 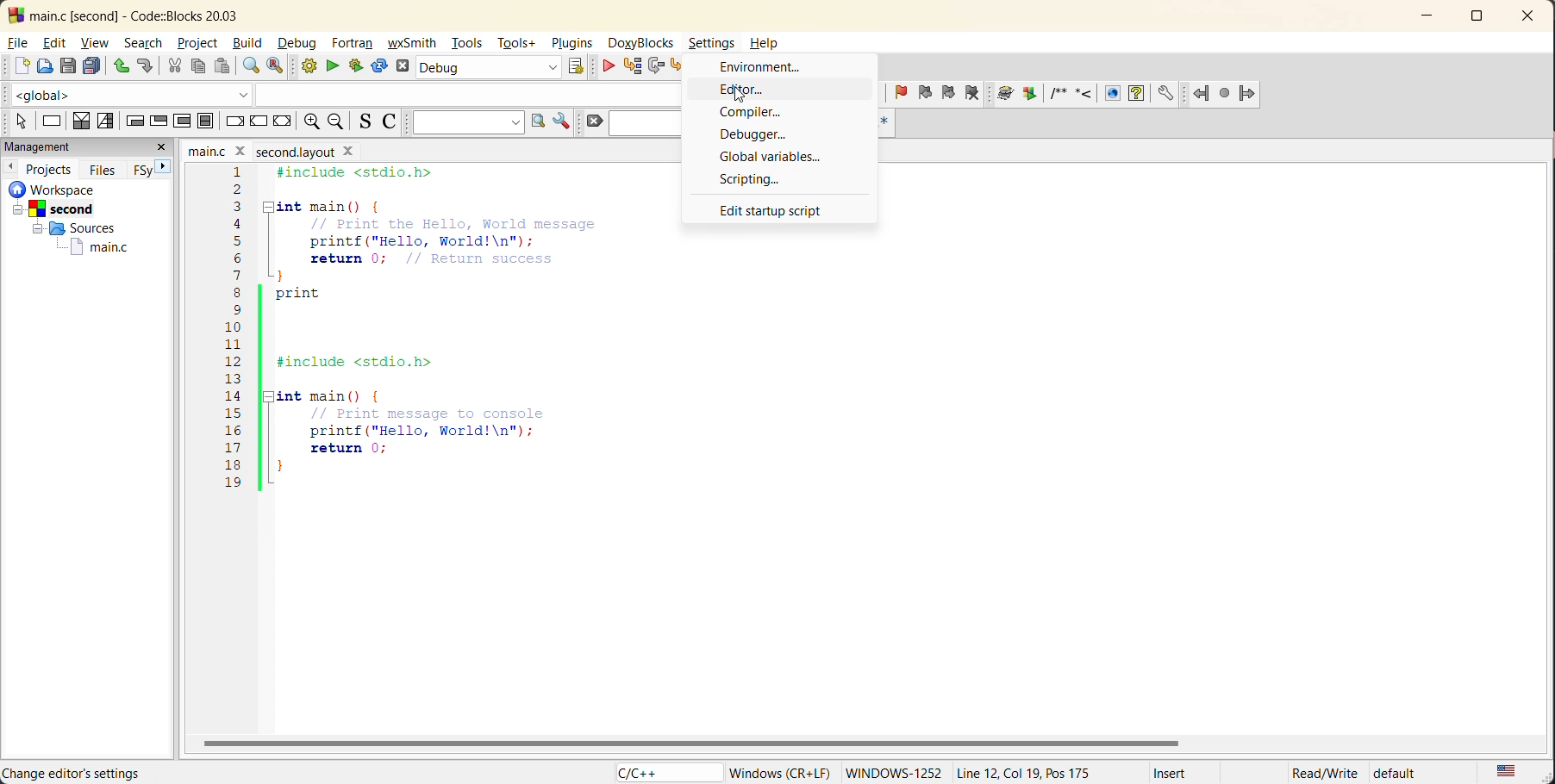 What do you see at coordinates (197, 65) in the screenshot?
I see `copy` at bounding box center [197, 65].